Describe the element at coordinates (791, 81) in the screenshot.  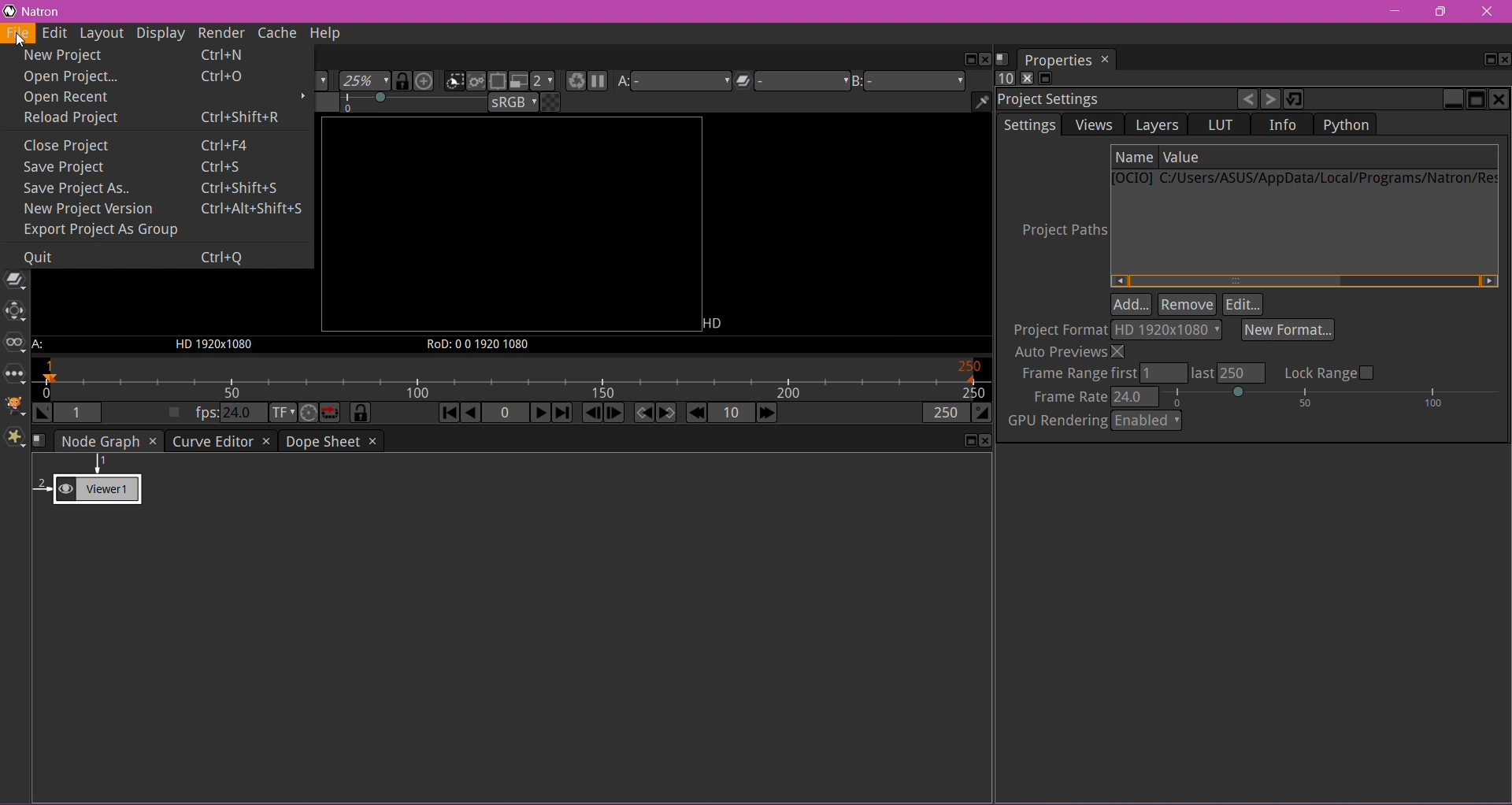
I see `The operation applied between viewer inputs A and B` at that location.